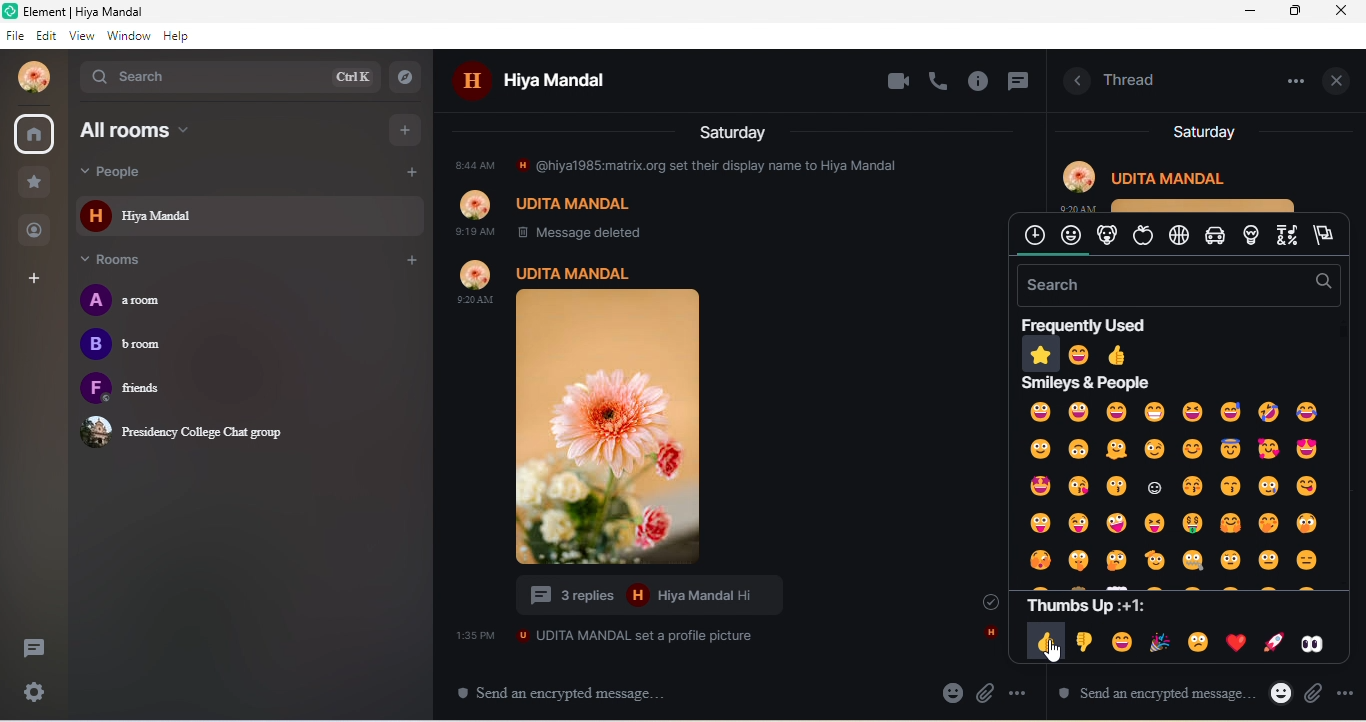  What do you see at coordinates (34, 183) in the screenshot?
I see `favourites` at bounding box center [34, 183].